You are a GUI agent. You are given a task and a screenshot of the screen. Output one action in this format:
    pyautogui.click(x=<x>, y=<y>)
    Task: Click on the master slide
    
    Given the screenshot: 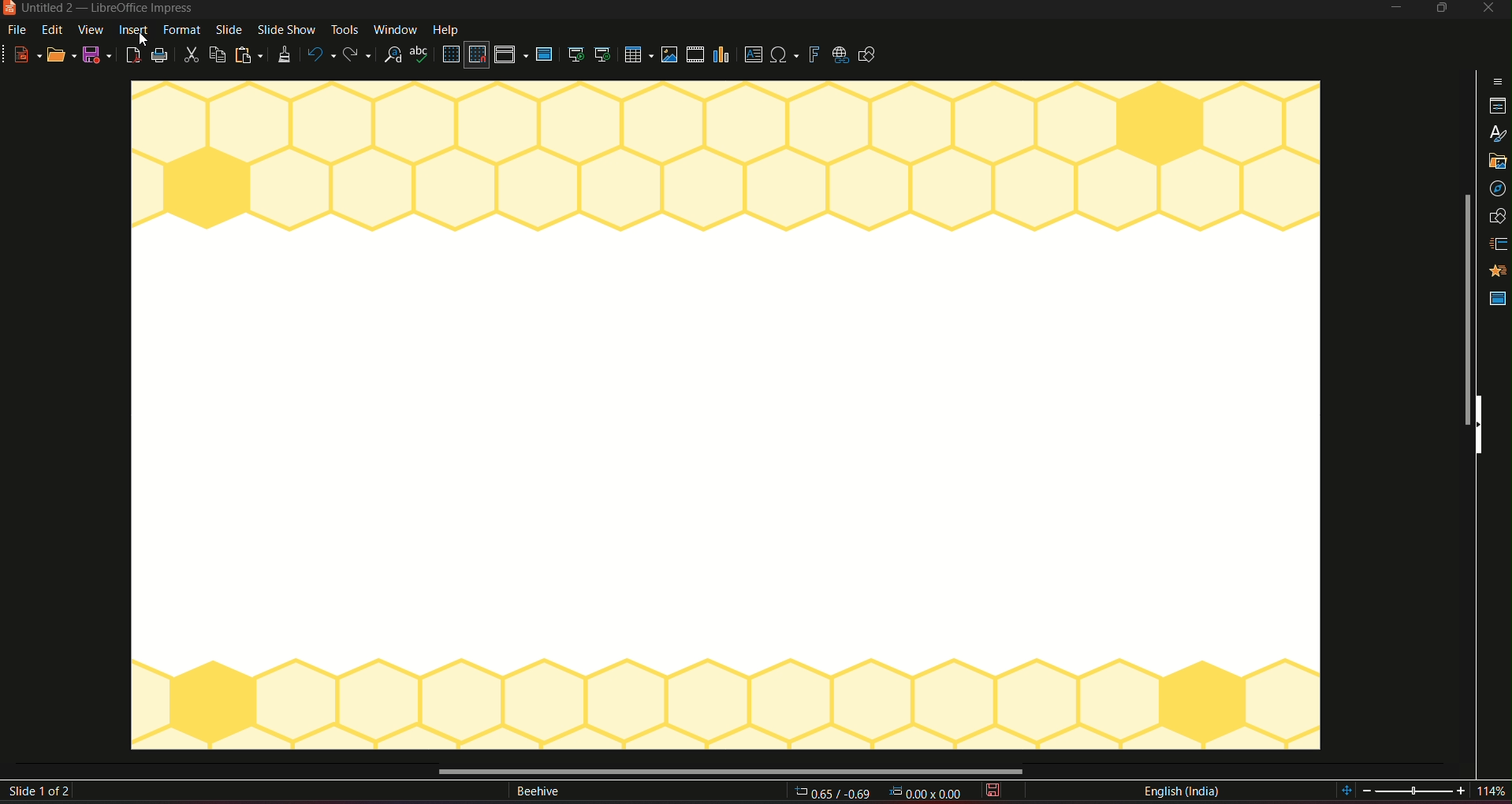 What is the action you would take?
    pyautogui.click(x=547, y=55)
    